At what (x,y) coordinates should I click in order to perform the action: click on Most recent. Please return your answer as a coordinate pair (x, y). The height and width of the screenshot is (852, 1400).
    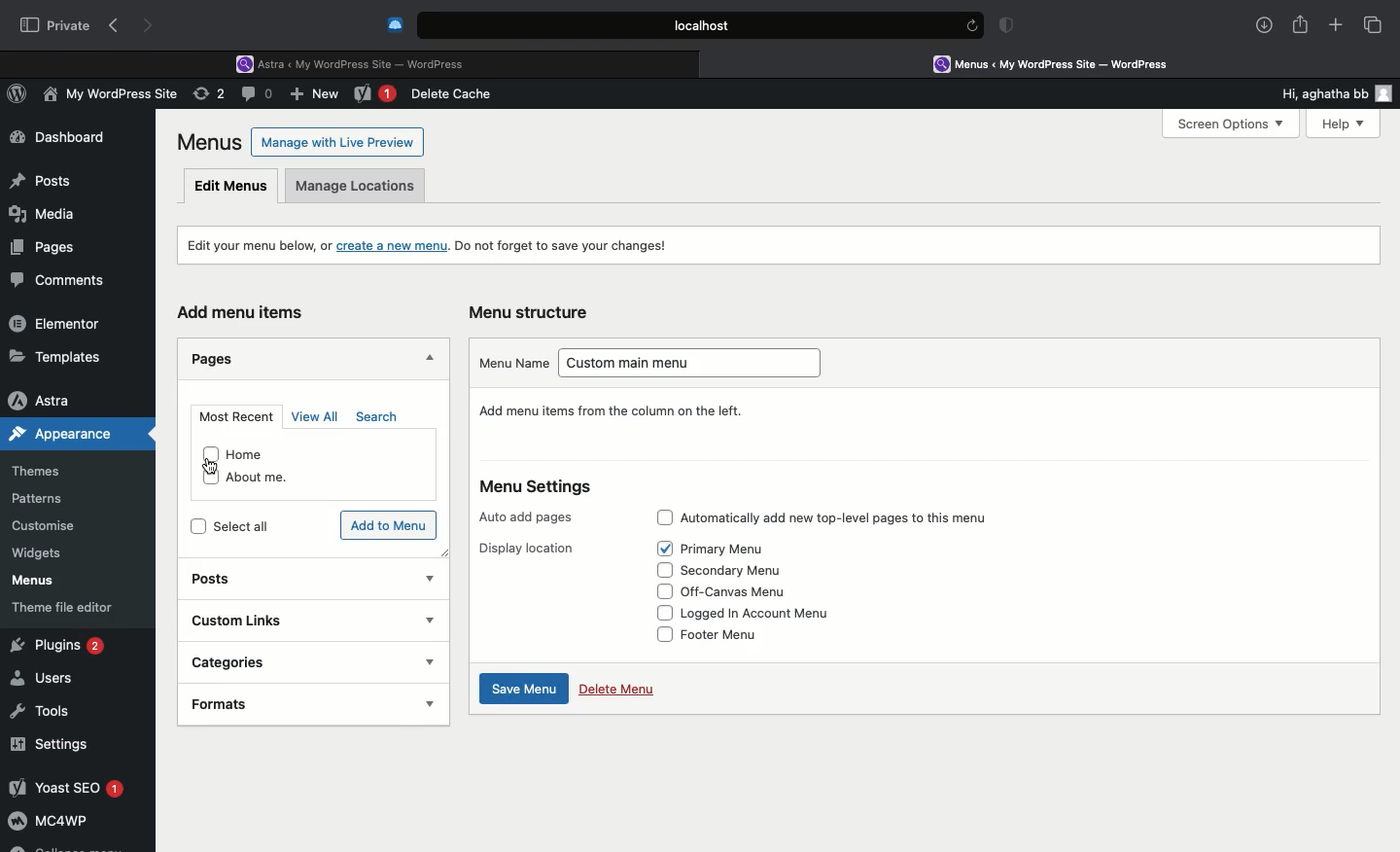
    Looking at the image, I should click on (233, 416).